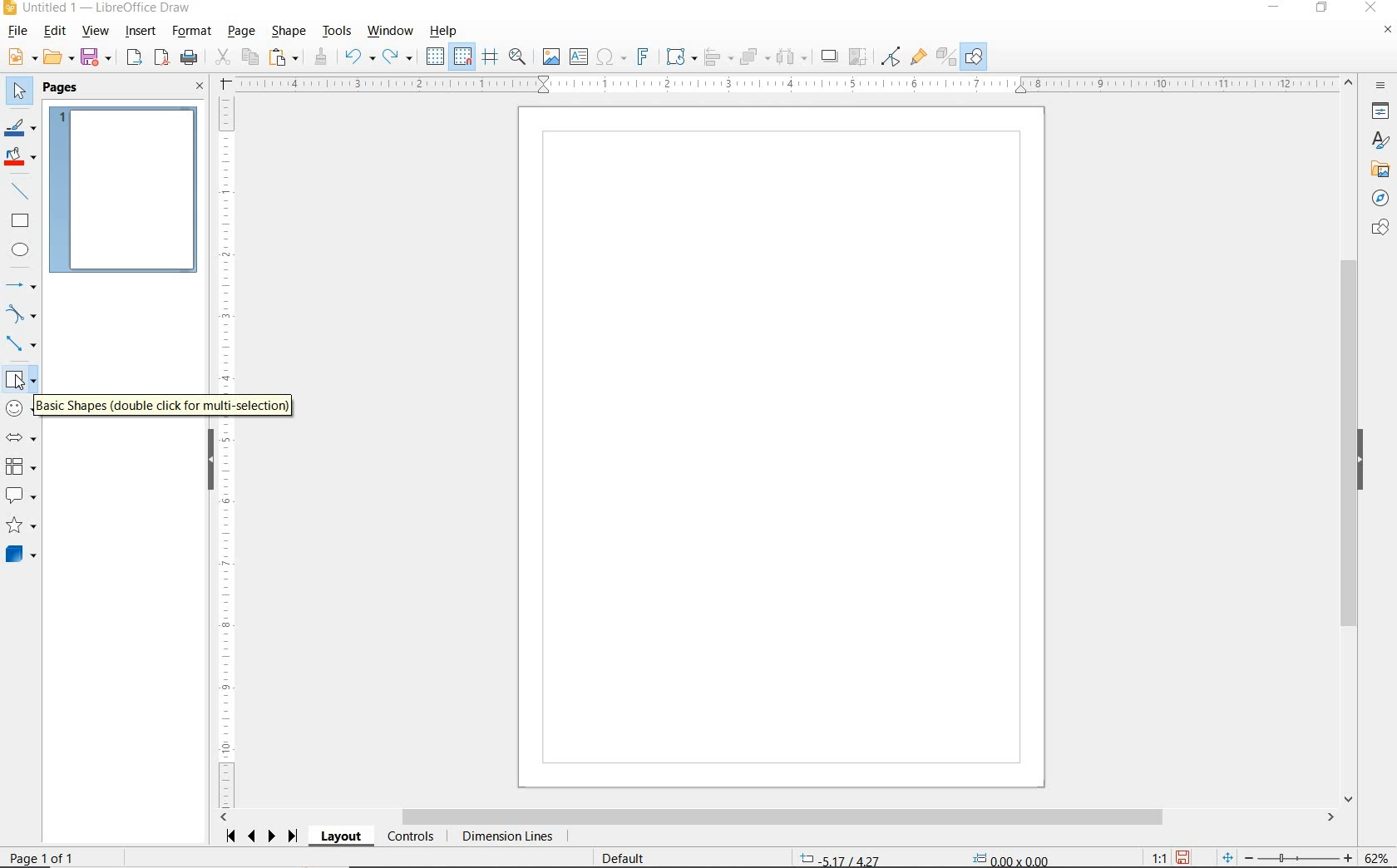 Image resolution: width=1397 pixels, height=868 pixels. I want to click on PAGE 1, so click(124, 189).